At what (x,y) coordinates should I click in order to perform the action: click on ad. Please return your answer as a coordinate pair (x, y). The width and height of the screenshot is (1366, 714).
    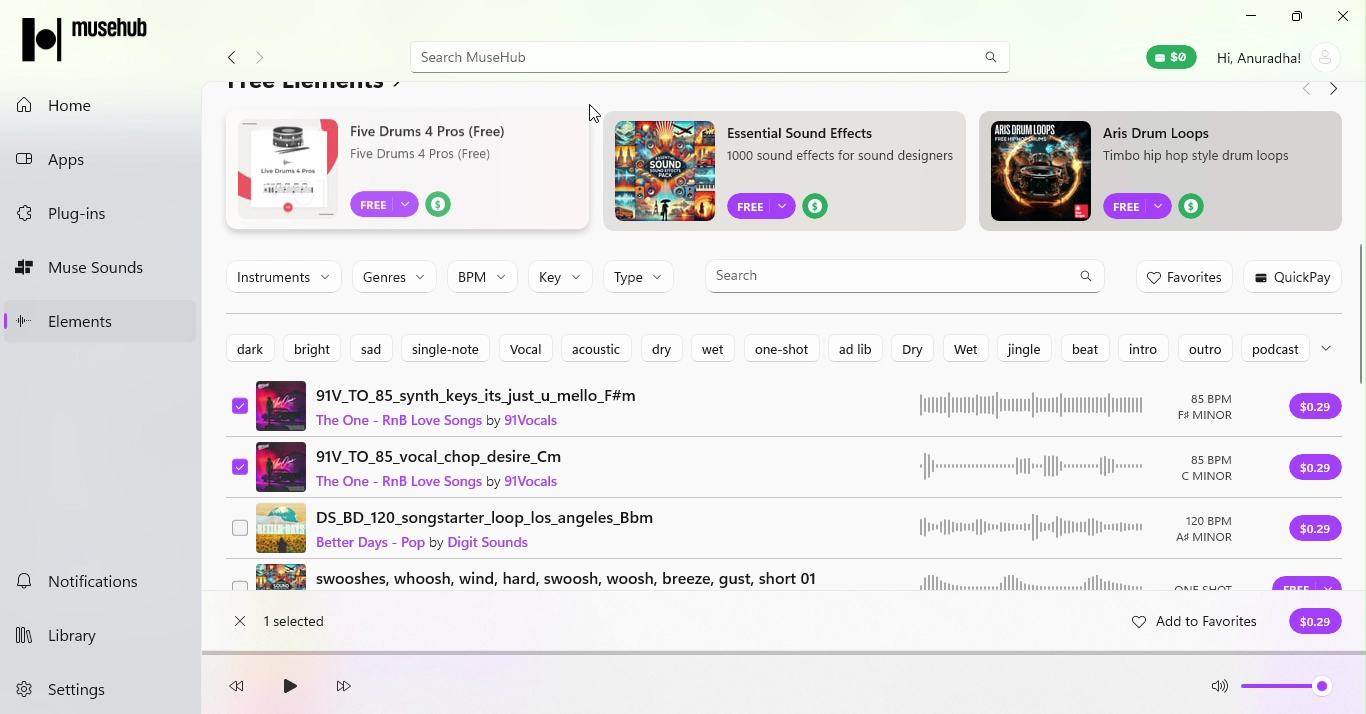
    Looking at the image, I should click on (788, 174).